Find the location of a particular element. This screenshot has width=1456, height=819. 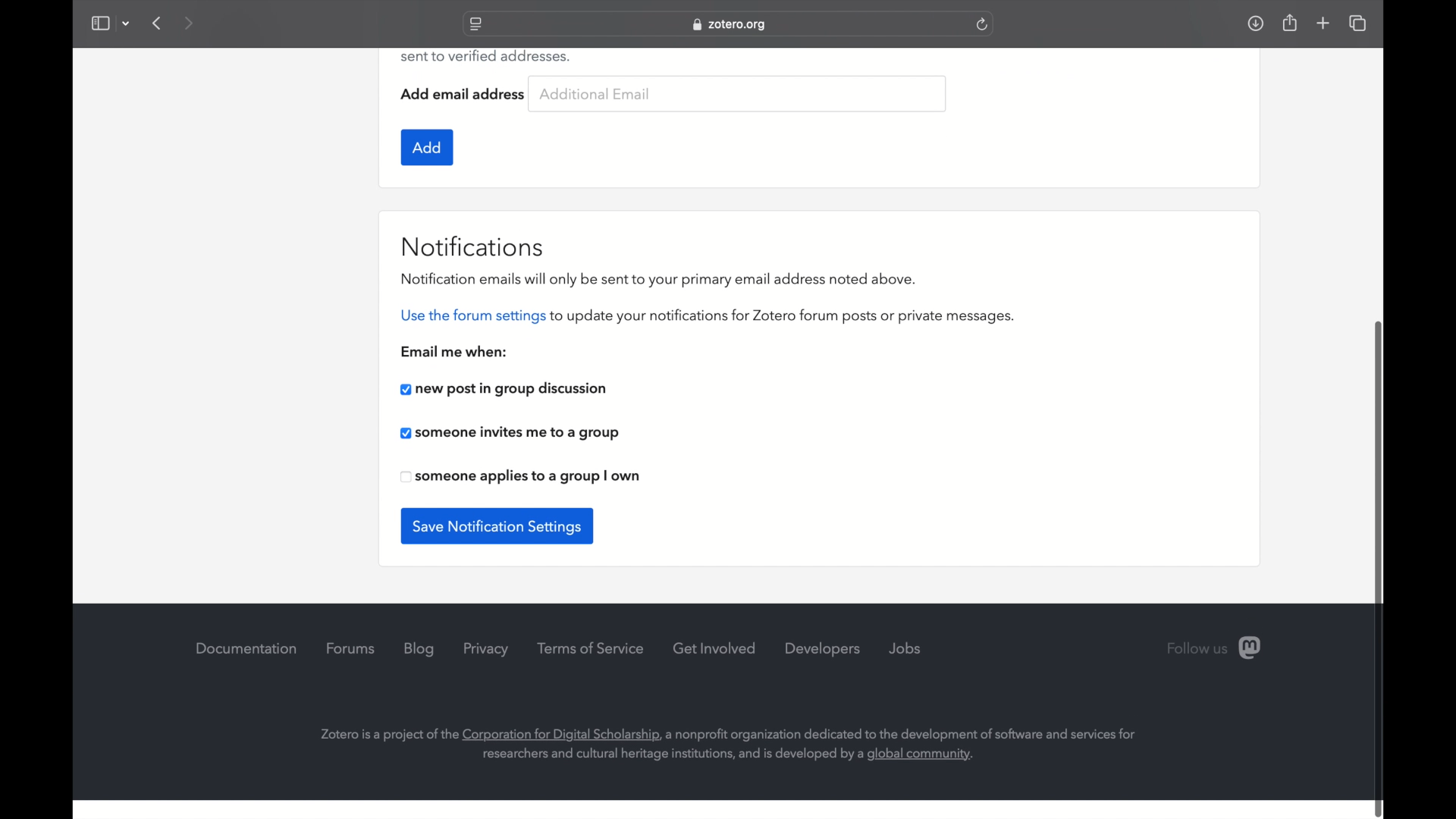

documentation is located at coordinates (246, 649).